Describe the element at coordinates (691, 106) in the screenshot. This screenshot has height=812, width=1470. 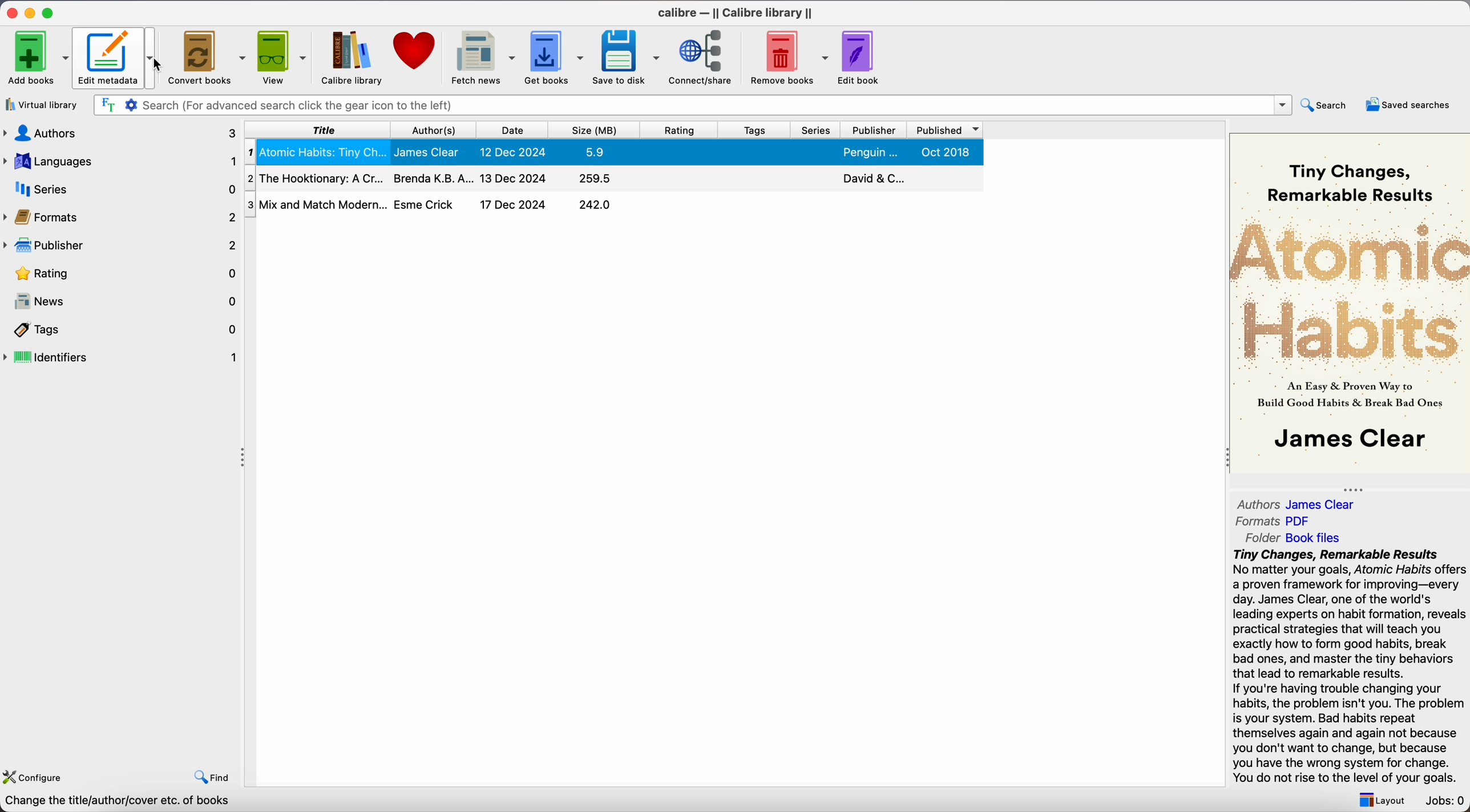
I see `search bar` at that location.